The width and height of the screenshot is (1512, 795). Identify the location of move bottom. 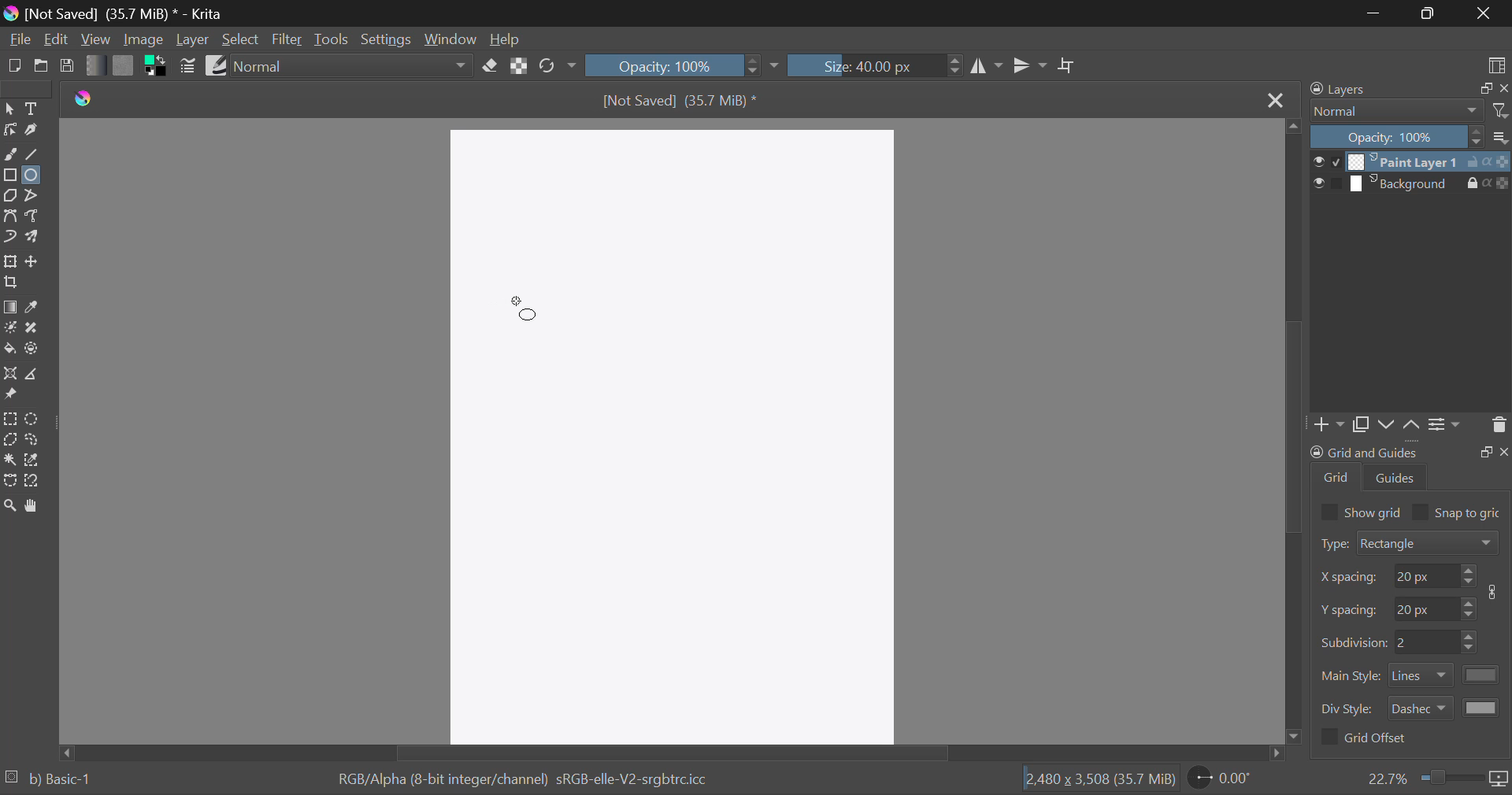
(1294, 733).